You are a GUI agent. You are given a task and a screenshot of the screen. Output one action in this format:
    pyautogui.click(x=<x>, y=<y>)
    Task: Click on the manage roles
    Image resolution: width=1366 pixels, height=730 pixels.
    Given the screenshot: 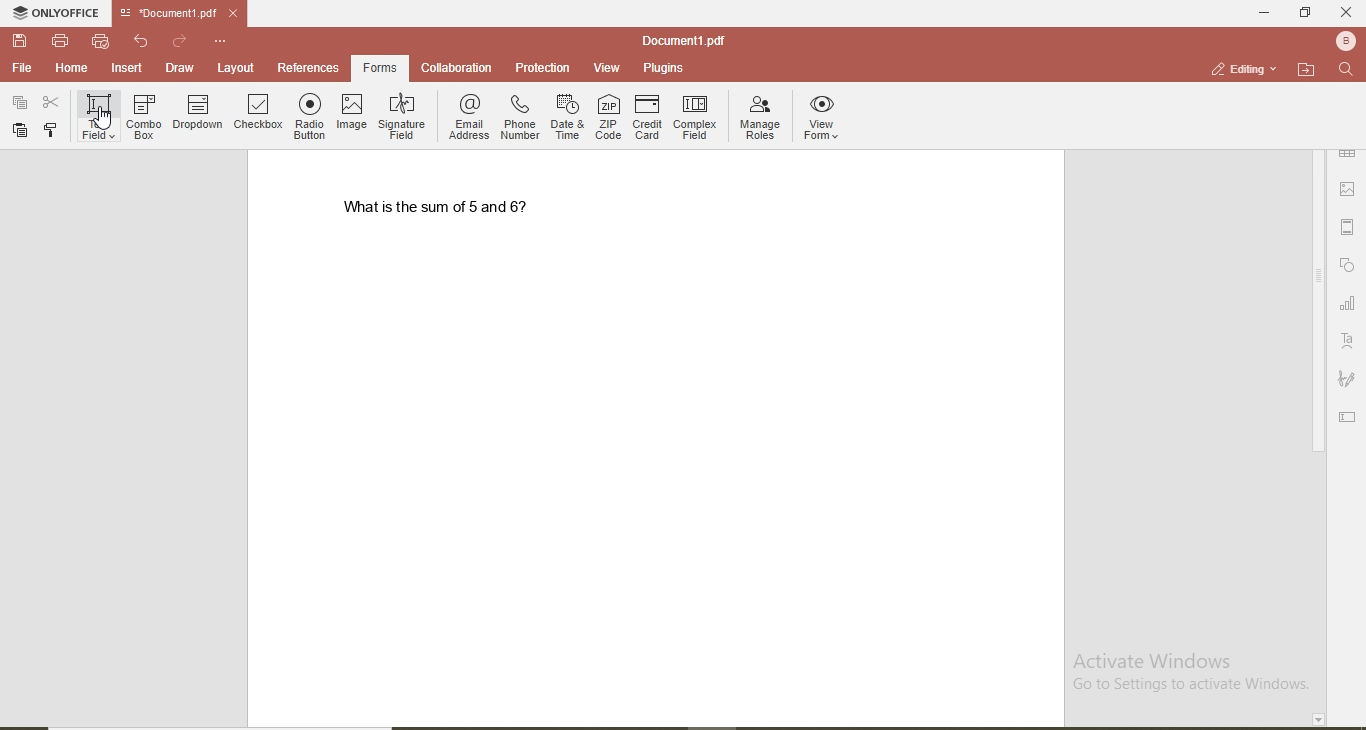 What is the action you would take?
    pyautogui.click(x=757, y=118)
    